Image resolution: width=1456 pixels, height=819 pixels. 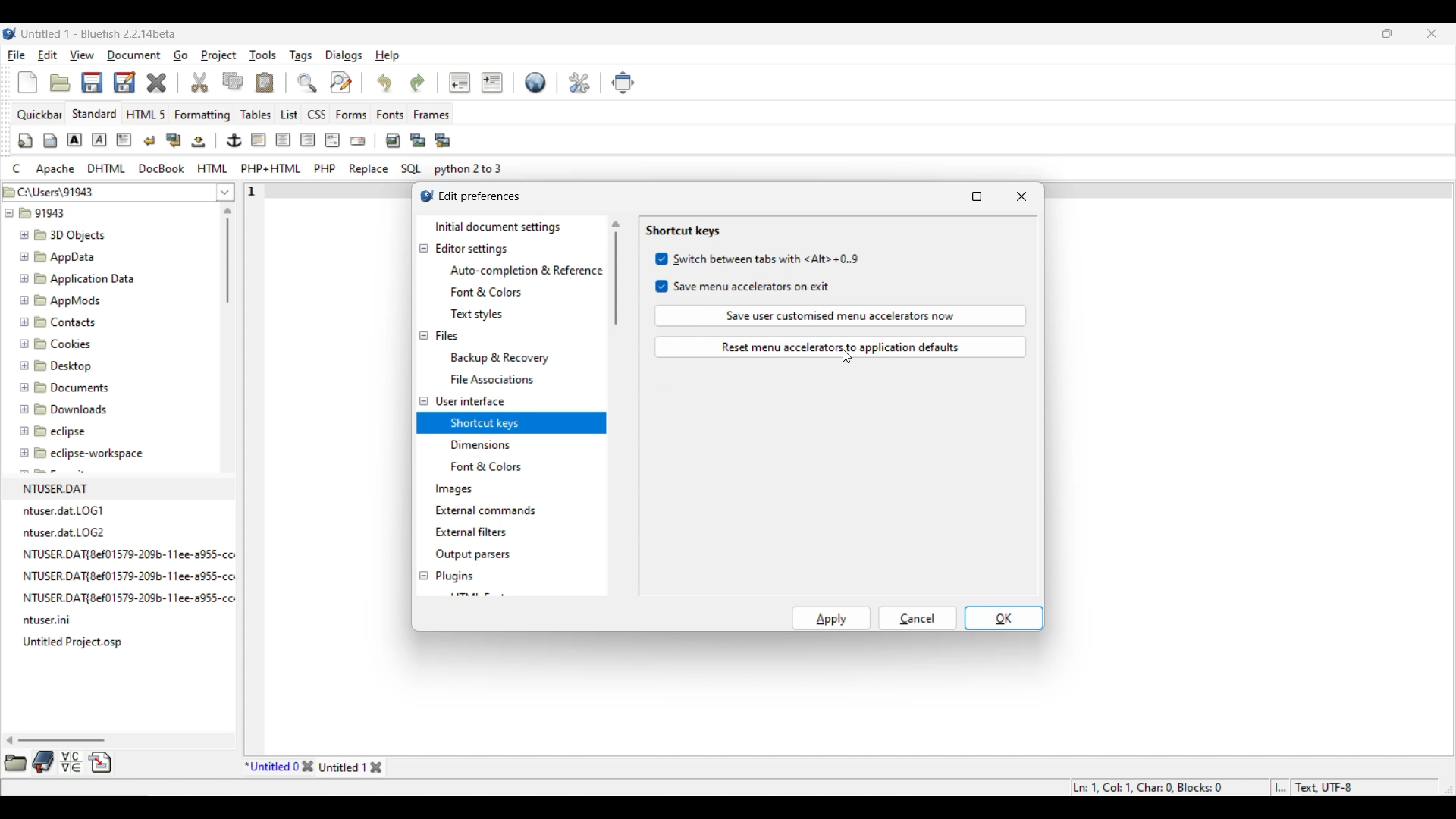 What do you see at coordinates (472, 249) in the screenshot?
I see `Editor settings` at bounding box center [472, 249].